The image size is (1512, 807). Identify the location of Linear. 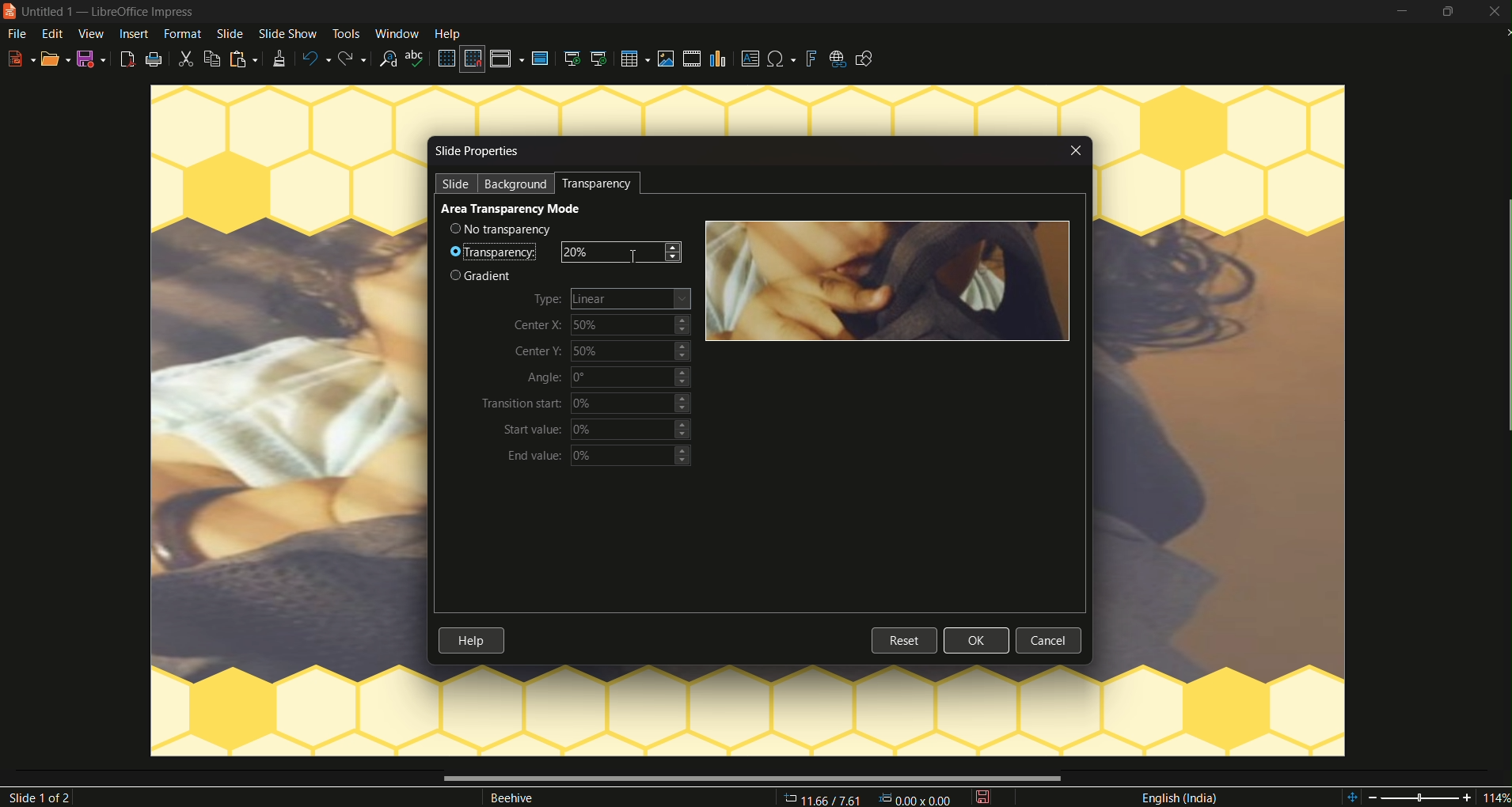
(633, 299).